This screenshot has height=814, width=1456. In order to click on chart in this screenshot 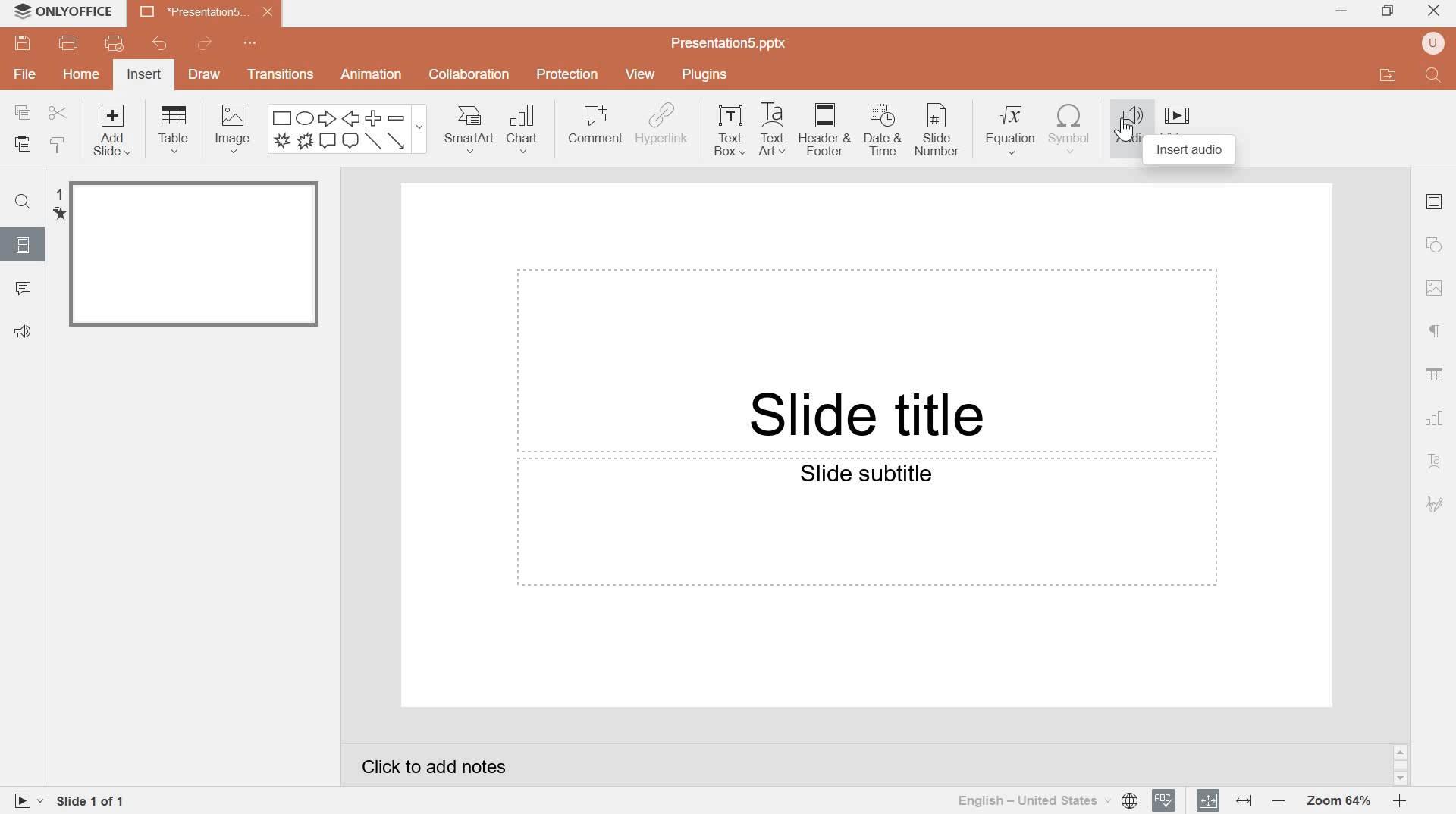, I will do `click(1436, 418)`.